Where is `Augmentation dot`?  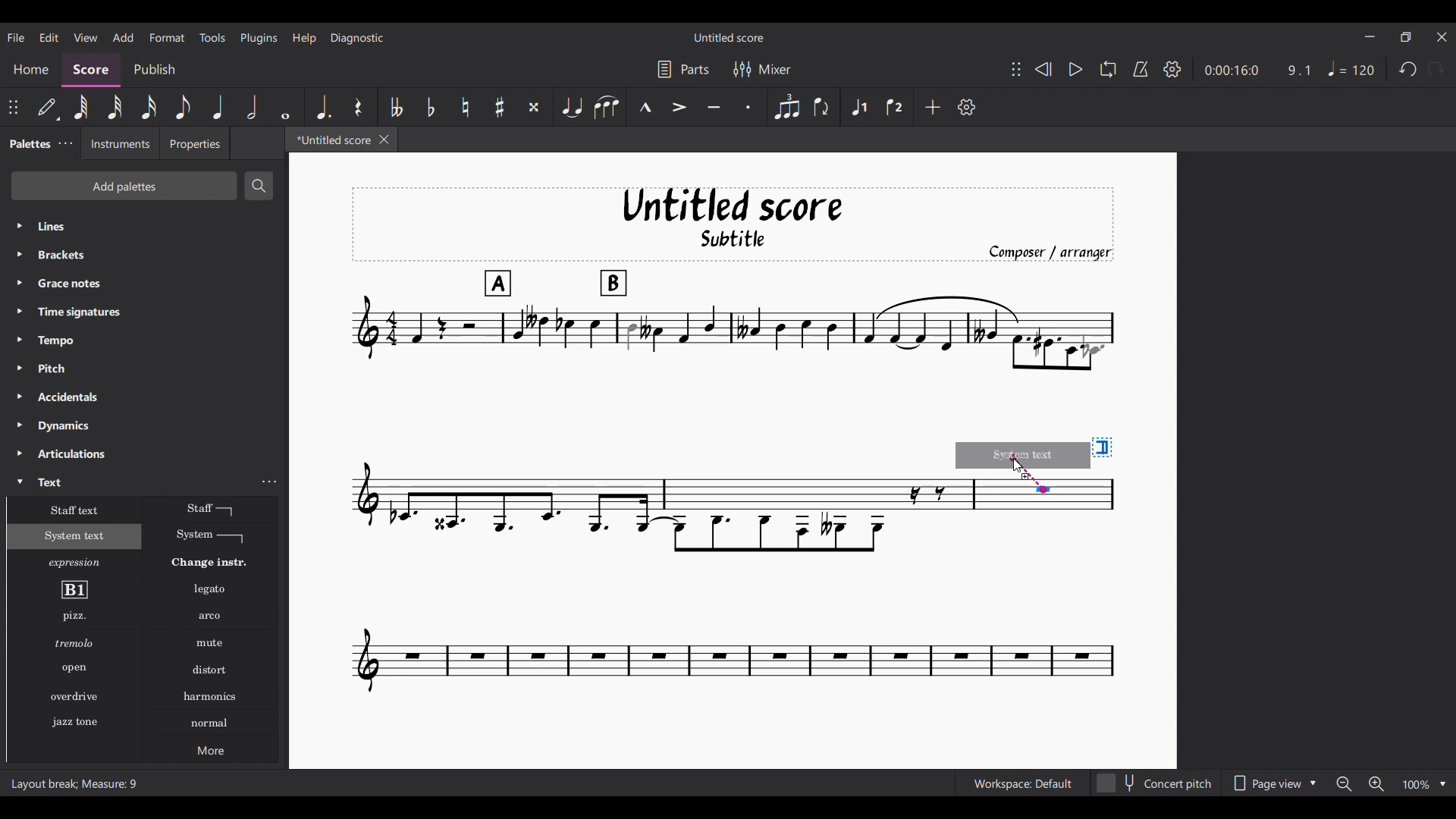 Augmentation dot is located at coordinates (322, 107).